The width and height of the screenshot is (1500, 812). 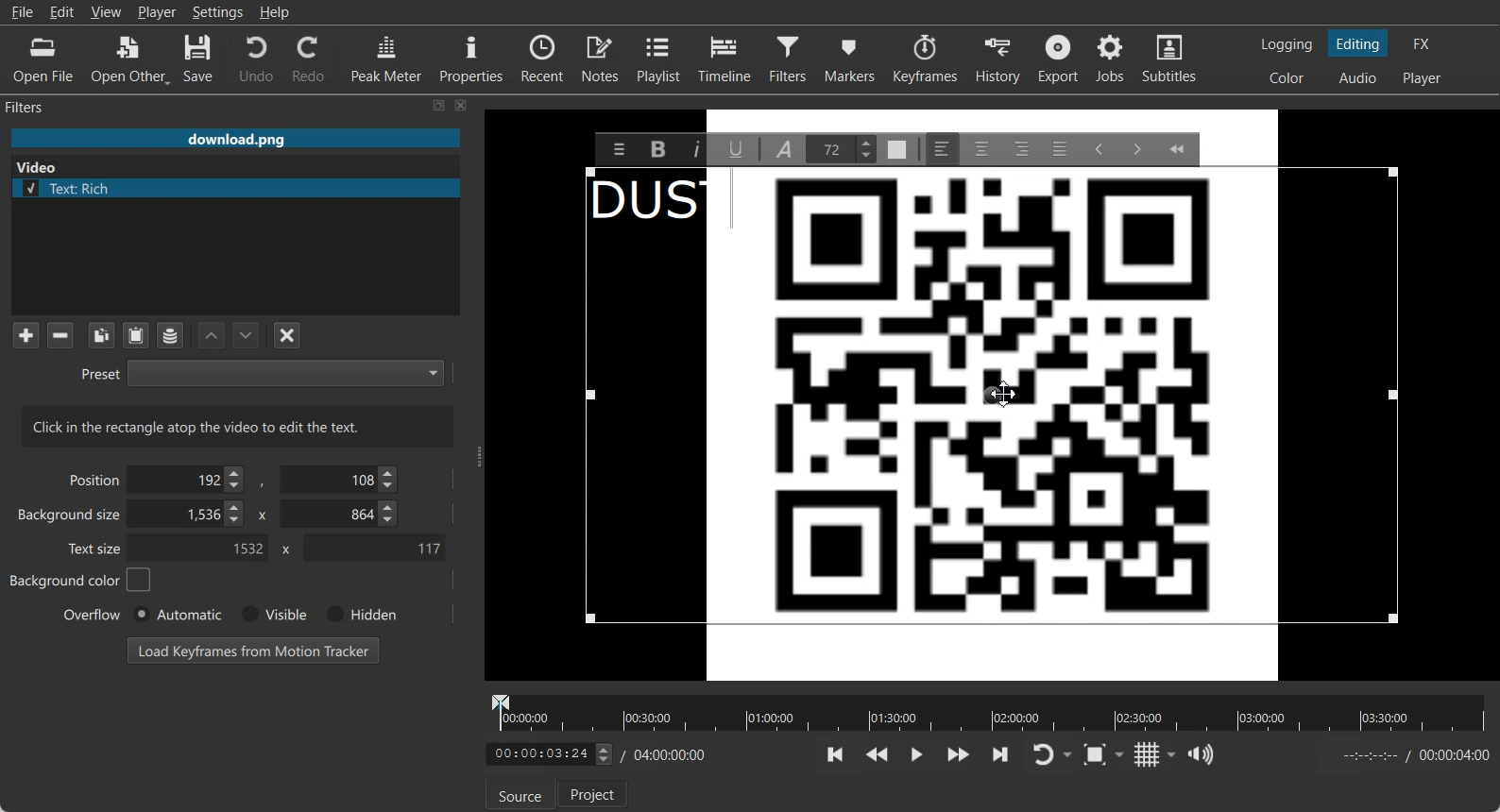 I want to click on Background size X- Coordinate, so click(x=190, y=516).